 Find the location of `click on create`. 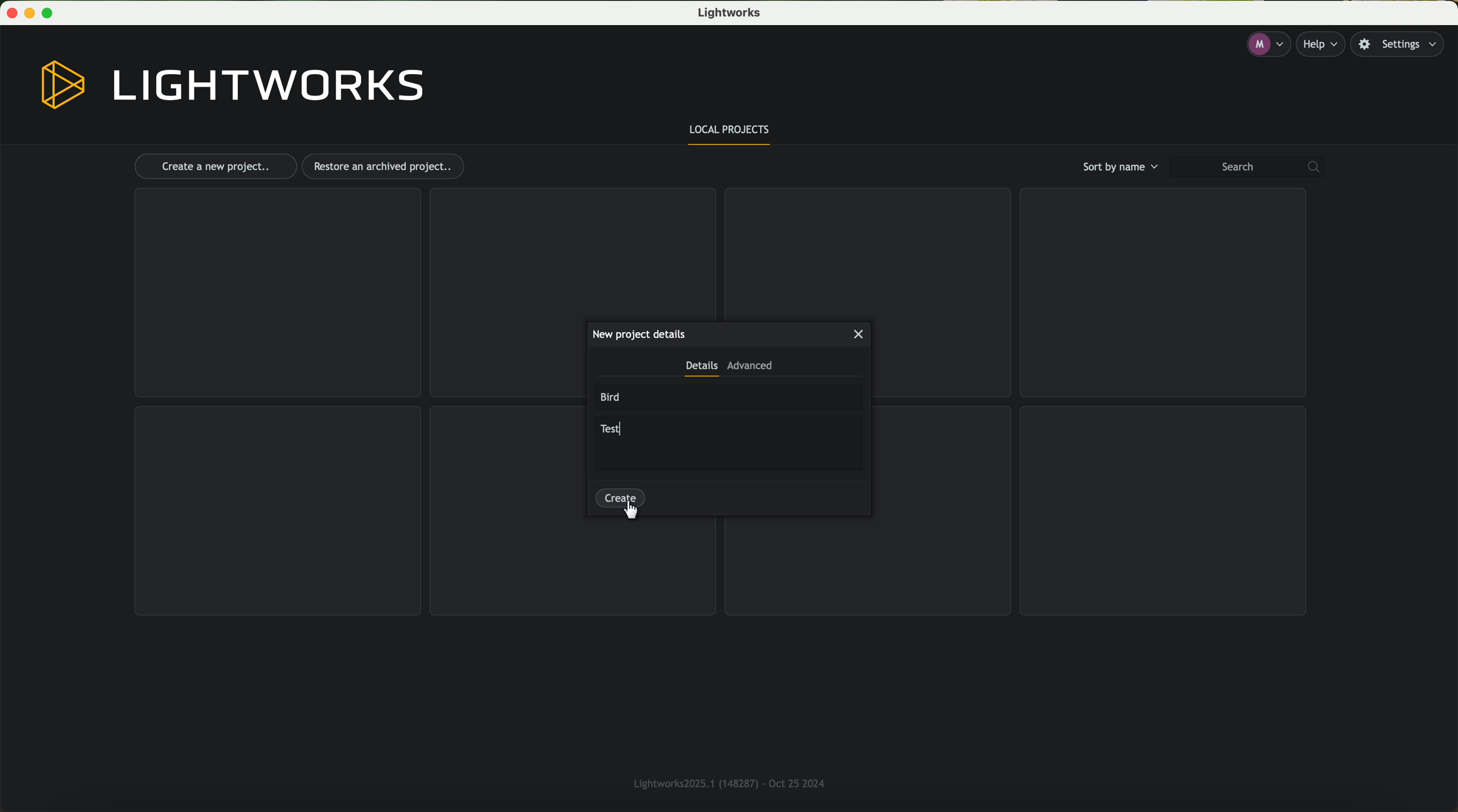

click on create is located at coordinates (625, 505).